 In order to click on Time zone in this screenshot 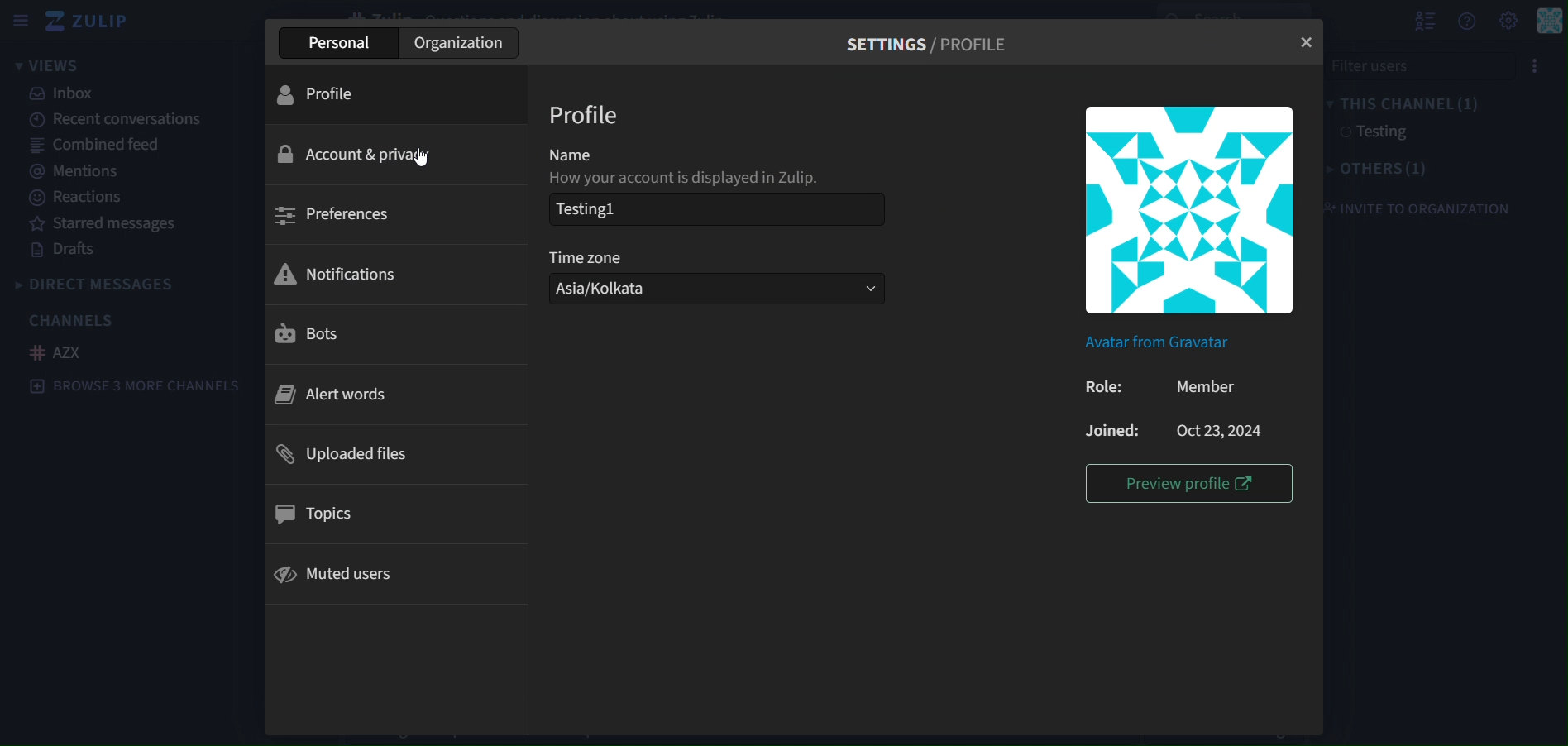, I will do `click(591, 260)`.